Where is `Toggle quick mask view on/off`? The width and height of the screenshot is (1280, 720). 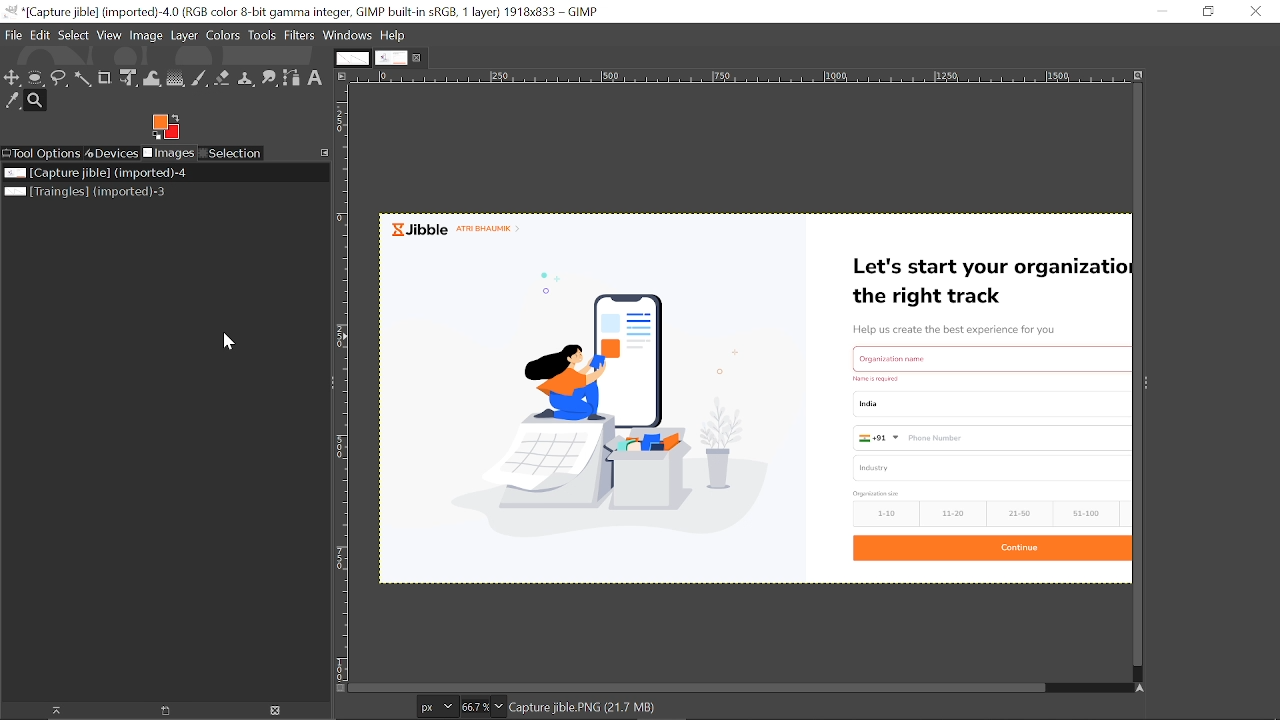 Toggle quick mask view on/off is located at coordinates (340, 689).